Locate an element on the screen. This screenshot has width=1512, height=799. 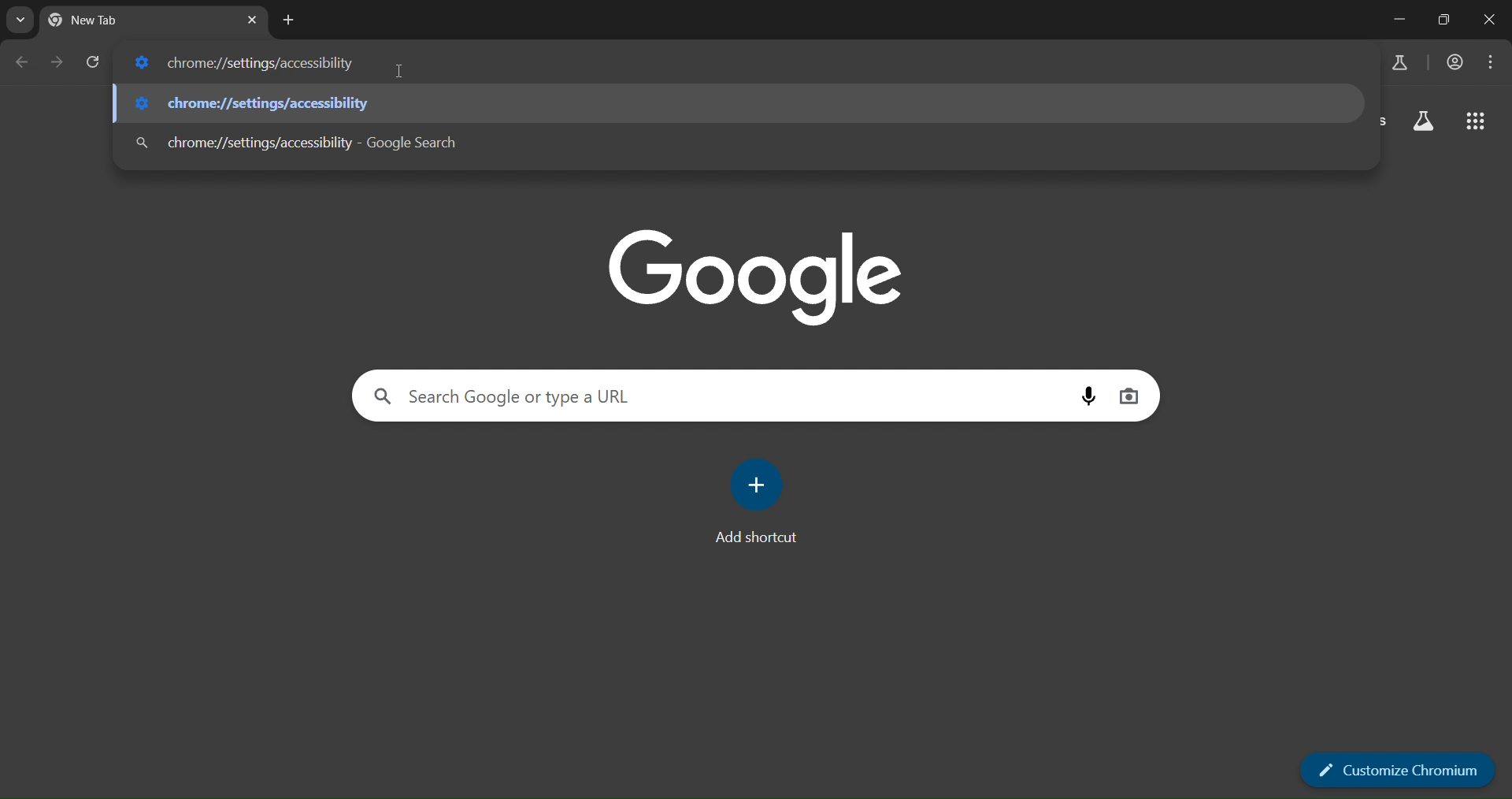
reload page is located at coordinates (92, 61).